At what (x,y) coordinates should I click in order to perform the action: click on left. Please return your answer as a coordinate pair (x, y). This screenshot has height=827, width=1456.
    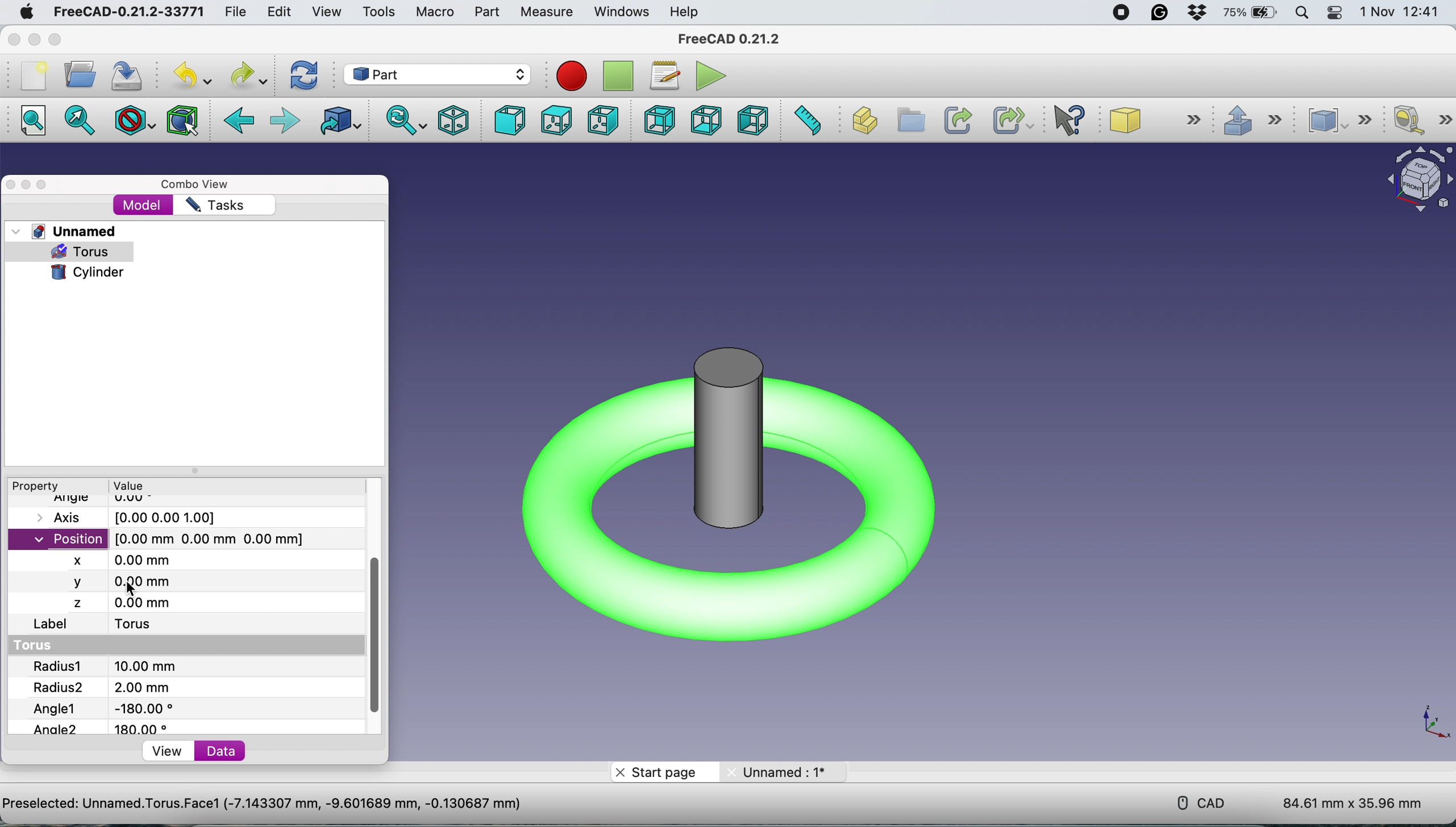
    Looking at the image, I should click on (751, 122).